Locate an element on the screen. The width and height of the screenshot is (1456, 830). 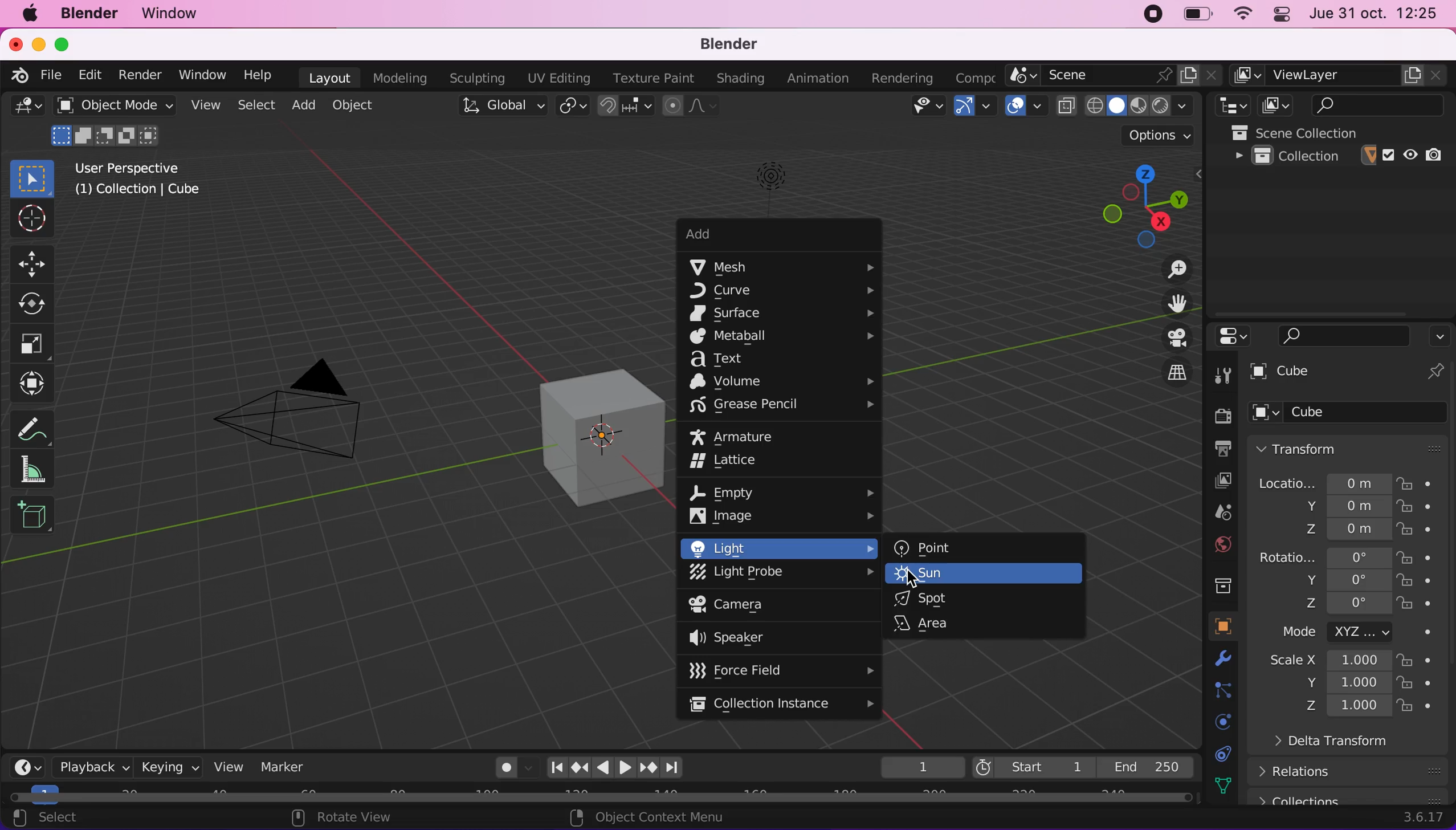
scene is located at coordinates (1114, 75).